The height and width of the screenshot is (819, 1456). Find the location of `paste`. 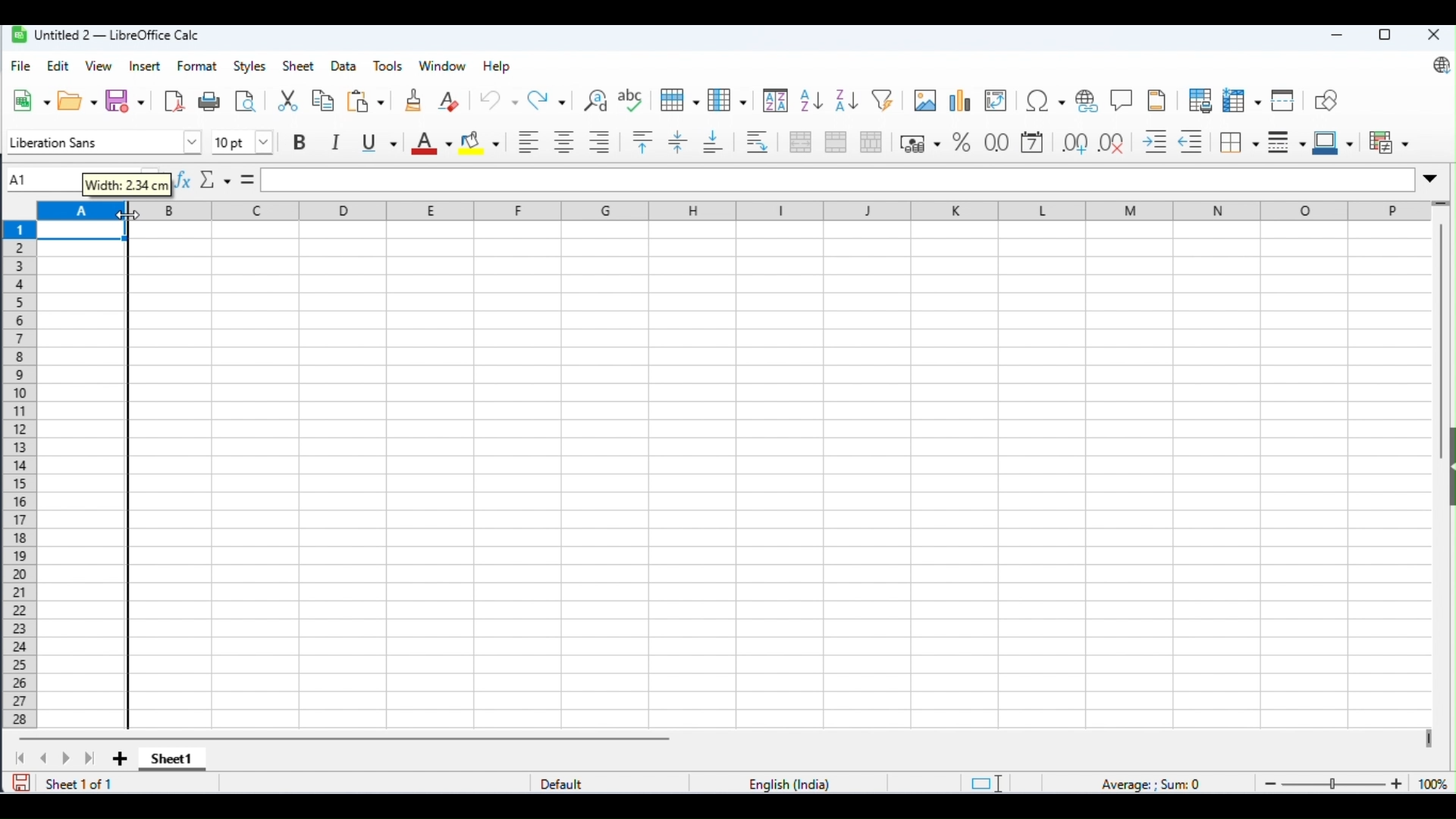

paste is located at coordinates (368, 99).